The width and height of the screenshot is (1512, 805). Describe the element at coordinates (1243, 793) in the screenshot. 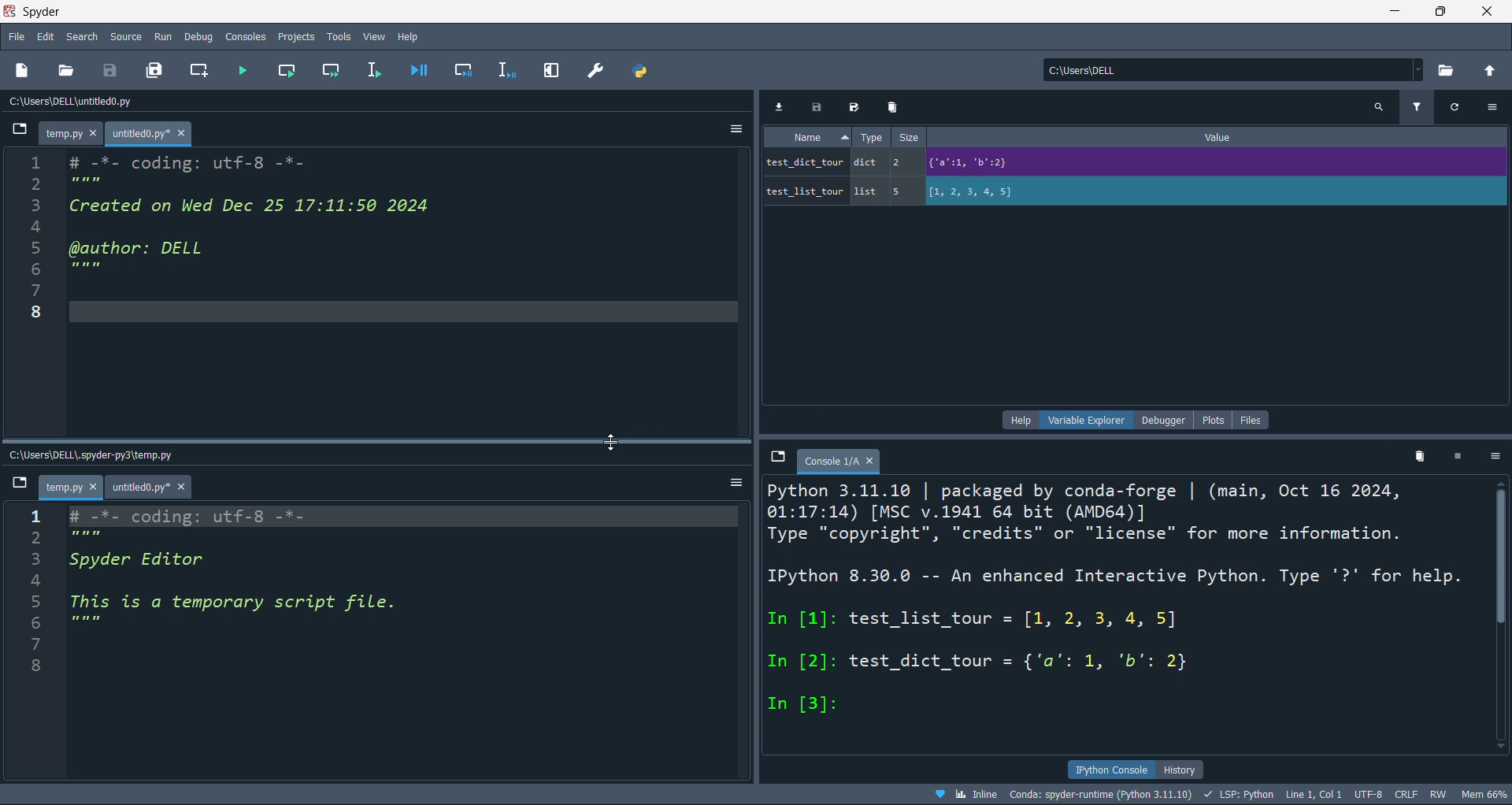

I see `LSP: Python` at that location.